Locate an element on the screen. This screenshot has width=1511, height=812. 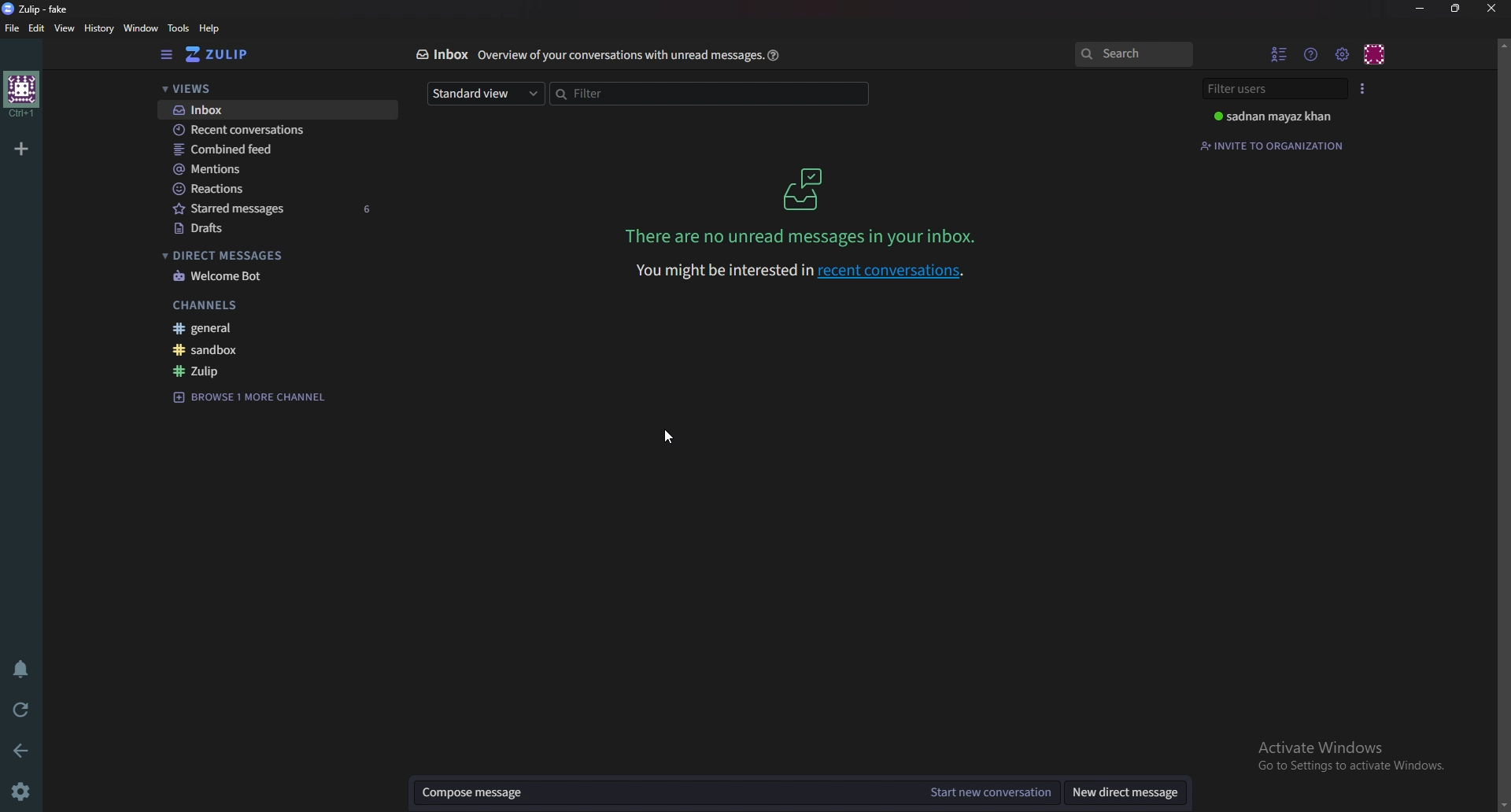
help is located at coordinates (209, 28).